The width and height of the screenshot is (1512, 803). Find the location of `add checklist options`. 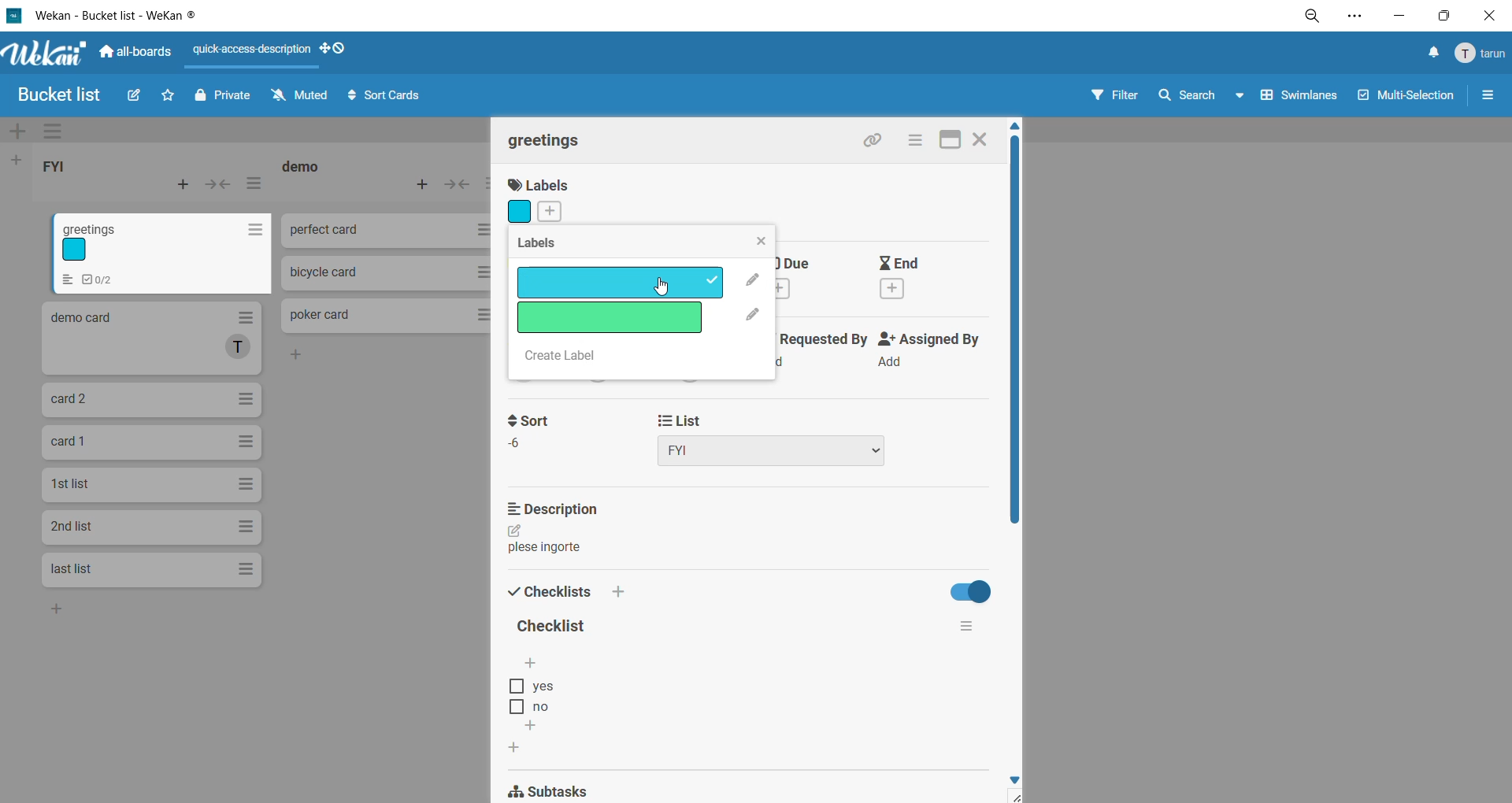

add checklist options is located at coordinates (530, 665).